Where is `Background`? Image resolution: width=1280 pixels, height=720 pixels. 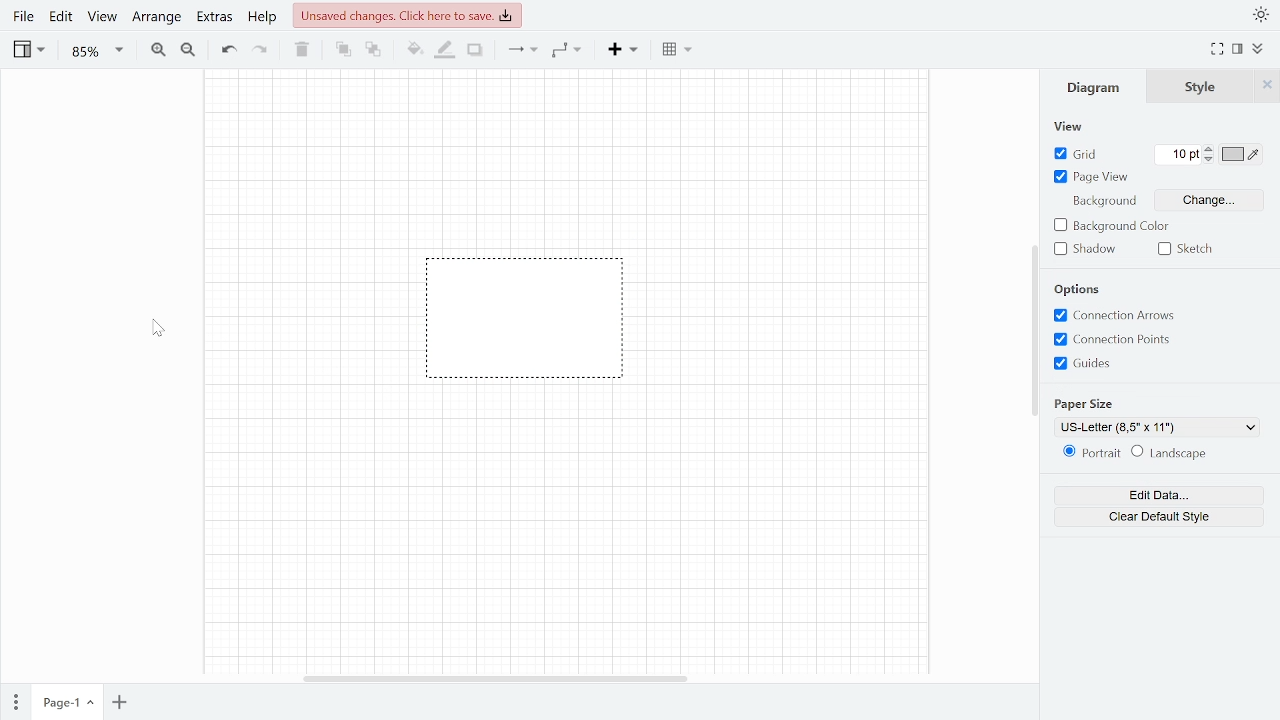
Background is located at coordinates (1104, 202).